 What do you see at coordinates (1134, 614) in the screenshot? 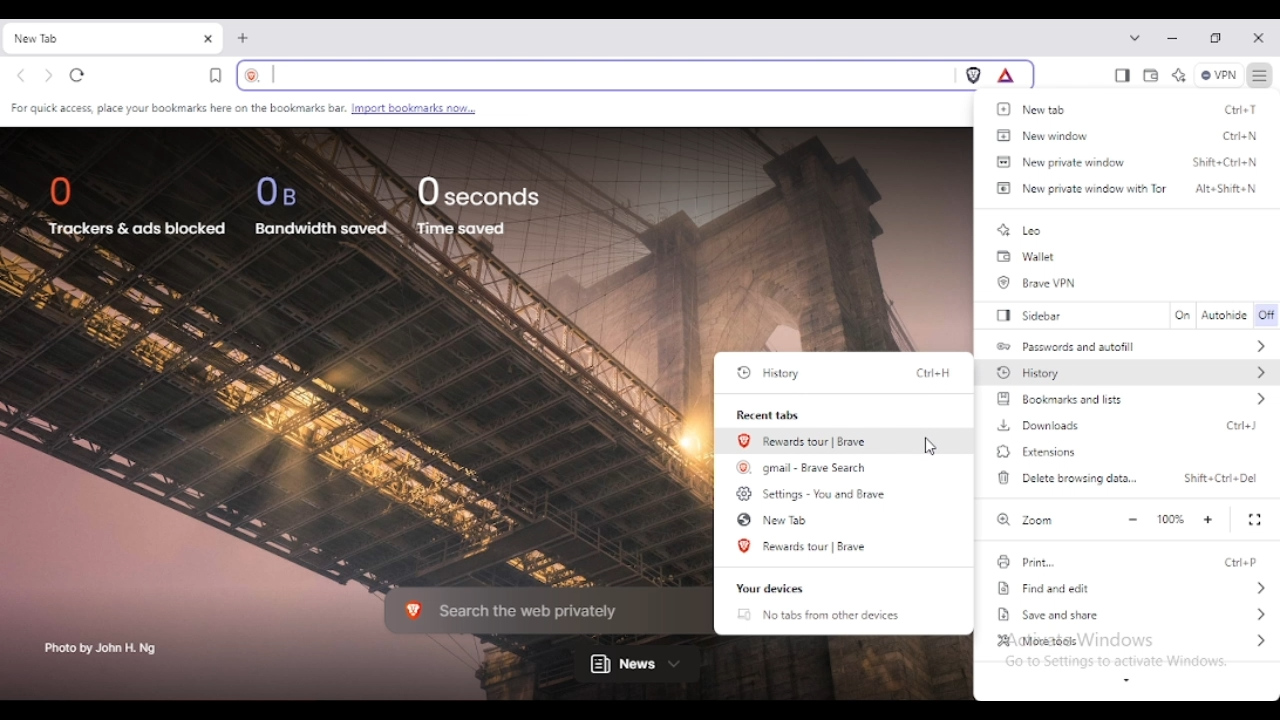
I see `save and share` at bounding box center [1134, 614].